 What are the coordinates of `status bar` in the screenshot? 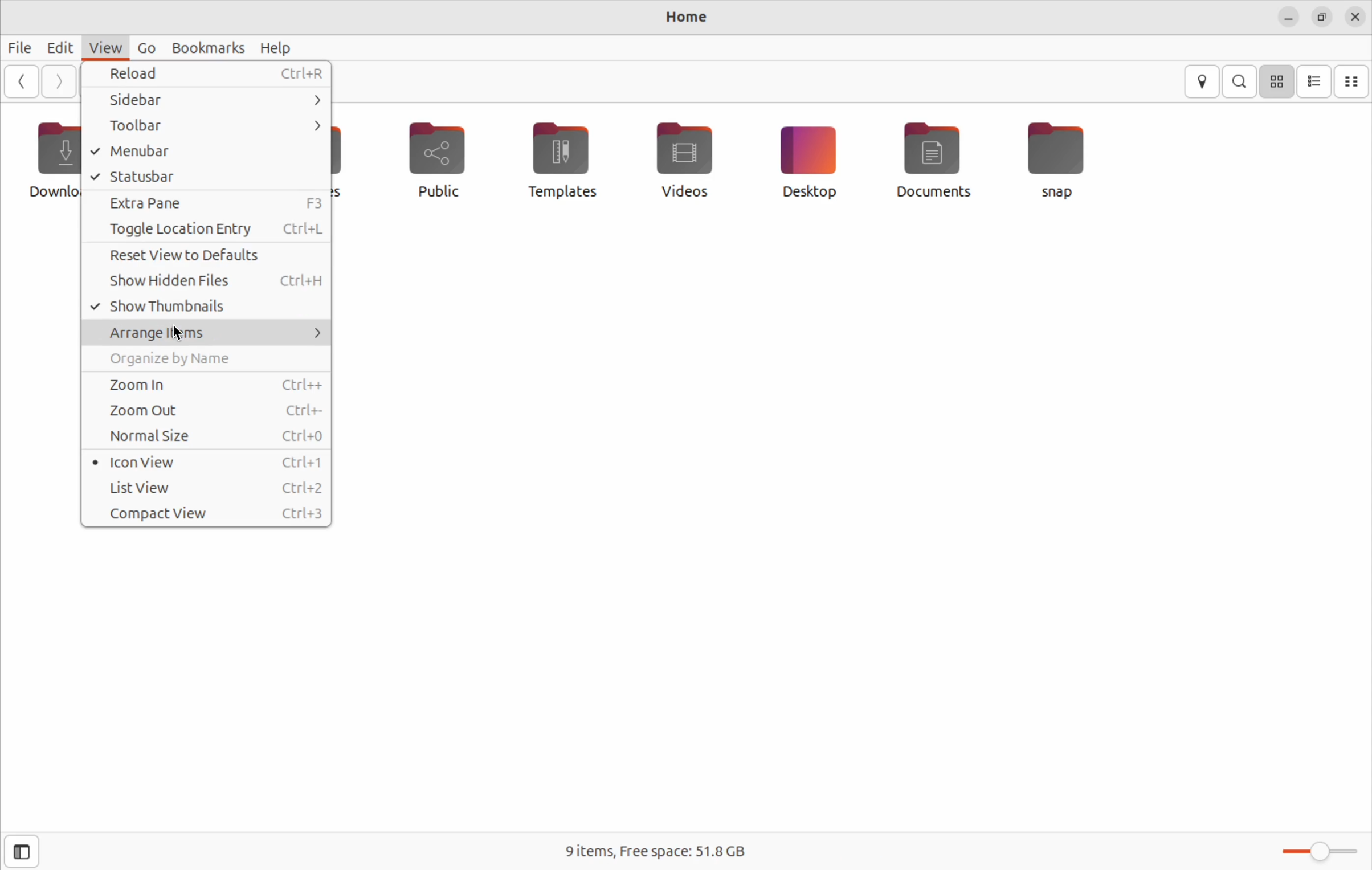 It's located at (207, 175).